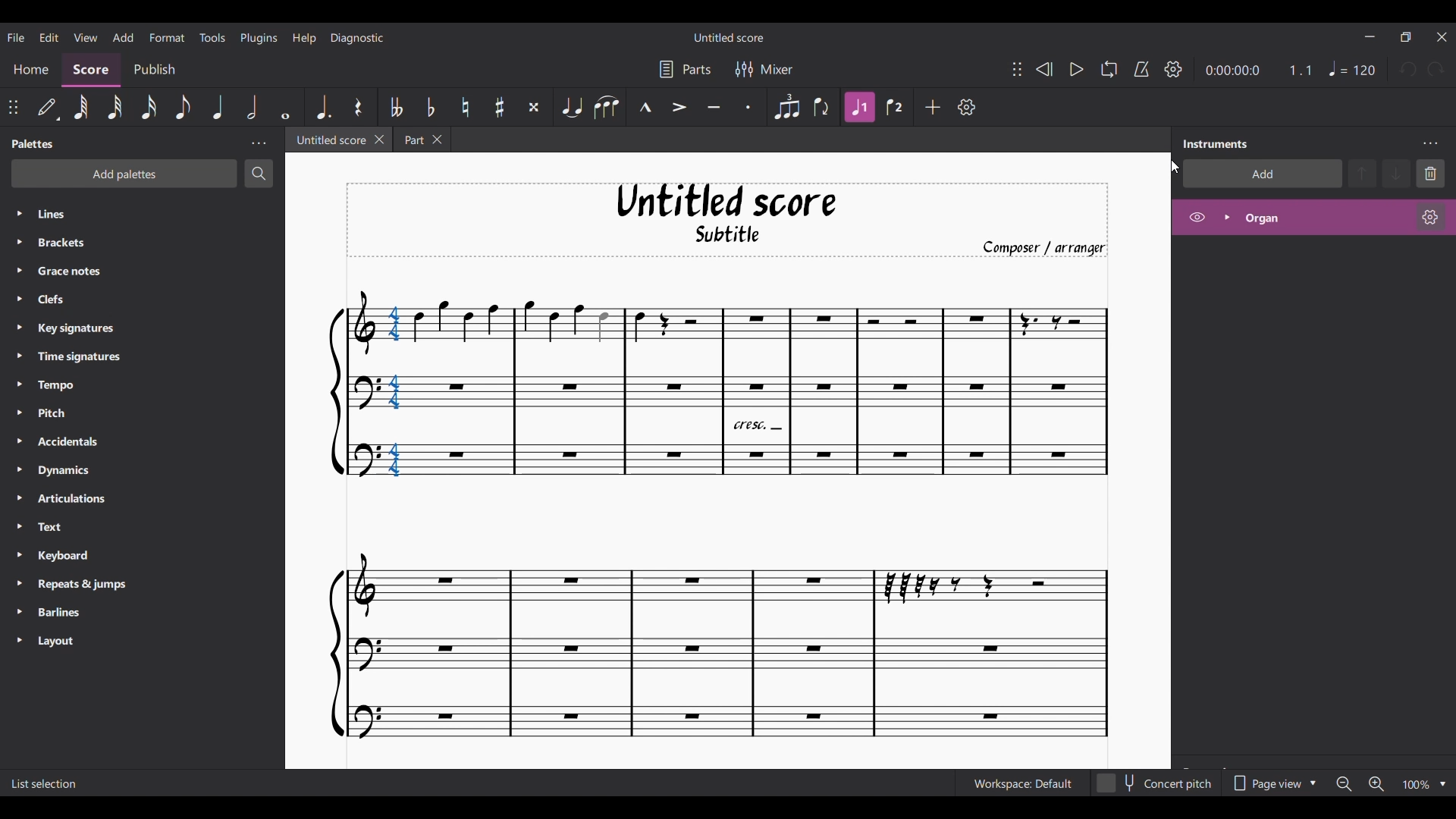  Describe the element at coordinates (1044, 69) in the screenshot. I see `Rewind` at that location.